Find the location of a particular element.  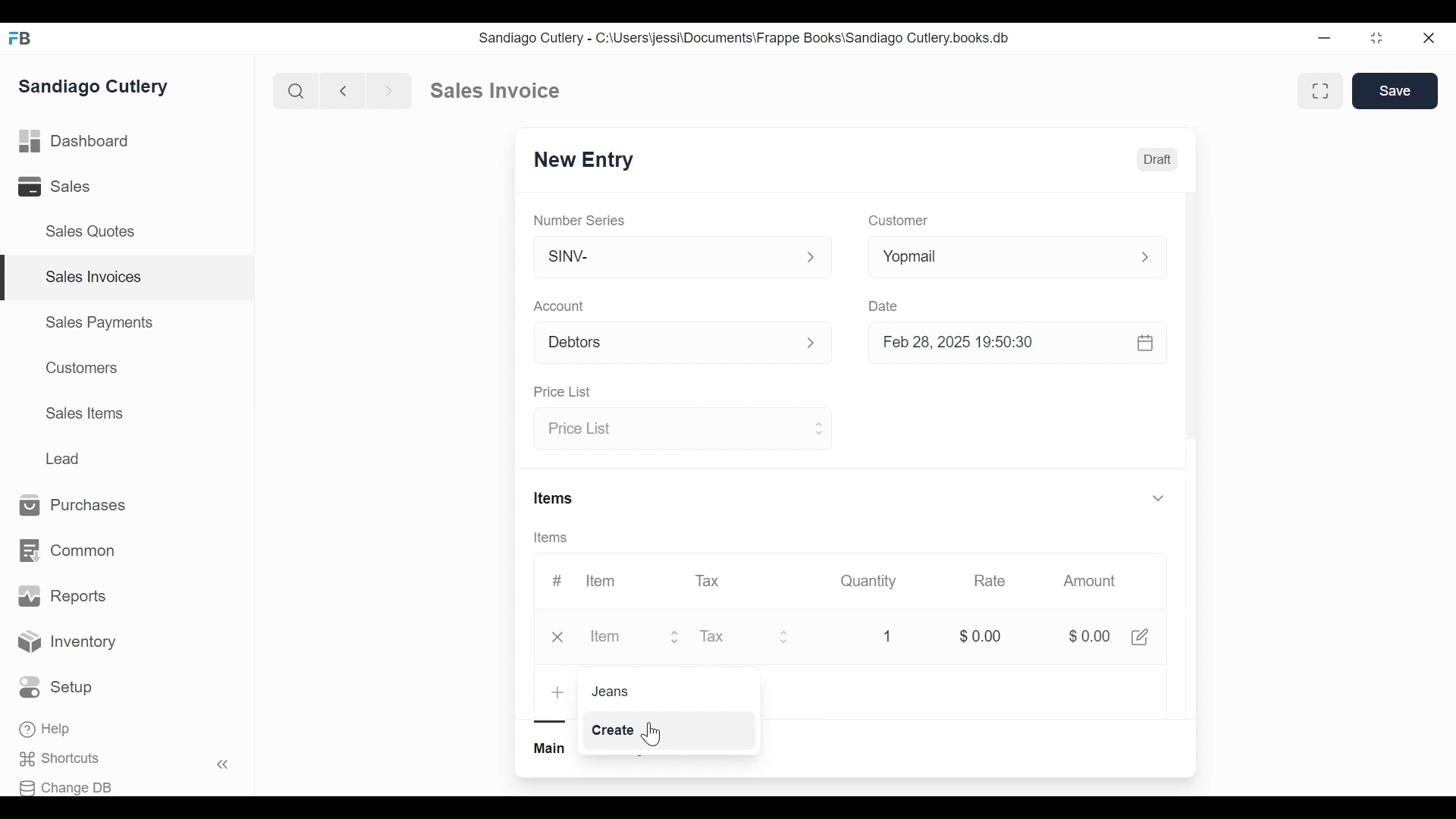

Sandiago Cutlery - C:\Users\jessi\Documents\Frappe Books\Sandiago Cutlery.books.db is located at coordinates (742, 37).